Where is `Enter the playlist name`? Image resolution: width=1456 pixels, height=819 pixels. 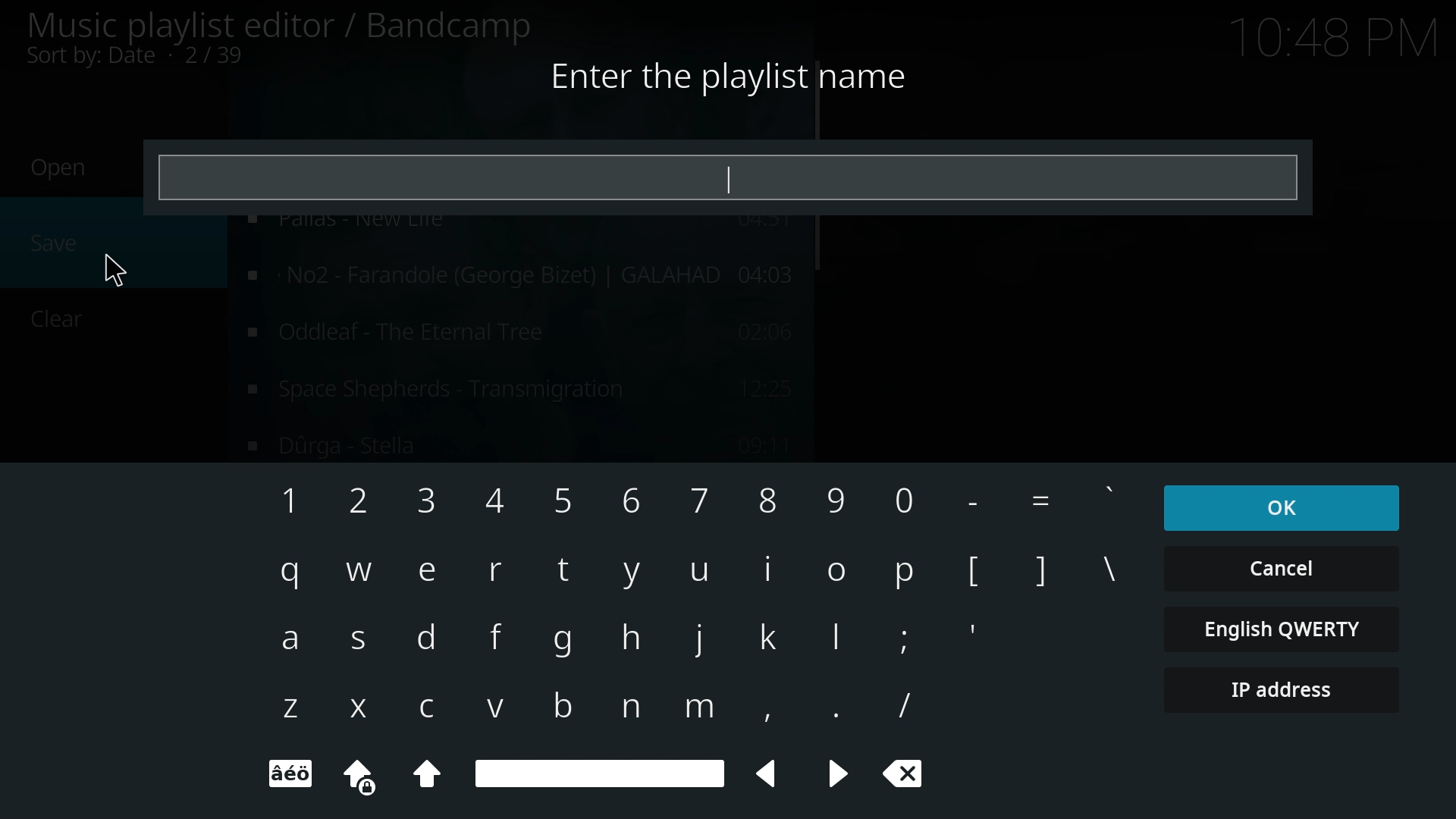
Enter the playlist name is located at coordinates (757, 83).